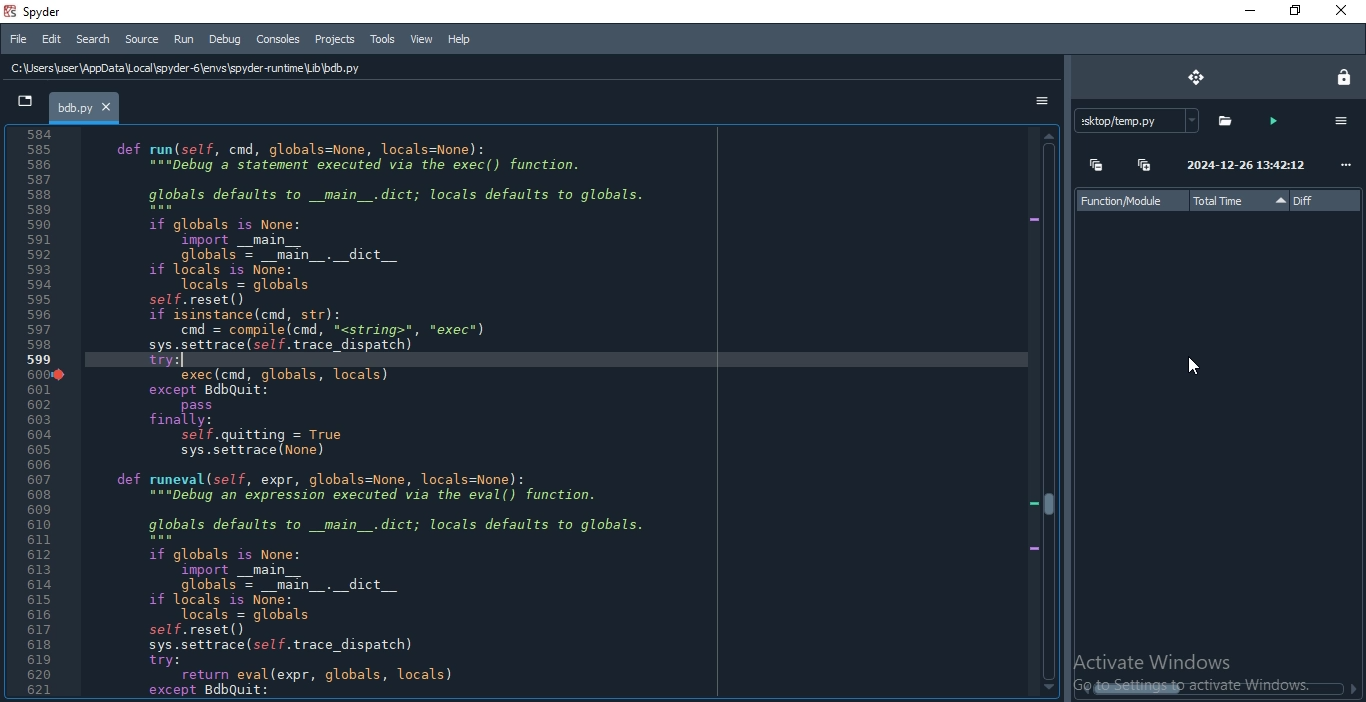 The width and height of the screenshot is (1366, 702). Describe the element at coordinates (25, 100) in the screenshot. I see `tab` at that location.